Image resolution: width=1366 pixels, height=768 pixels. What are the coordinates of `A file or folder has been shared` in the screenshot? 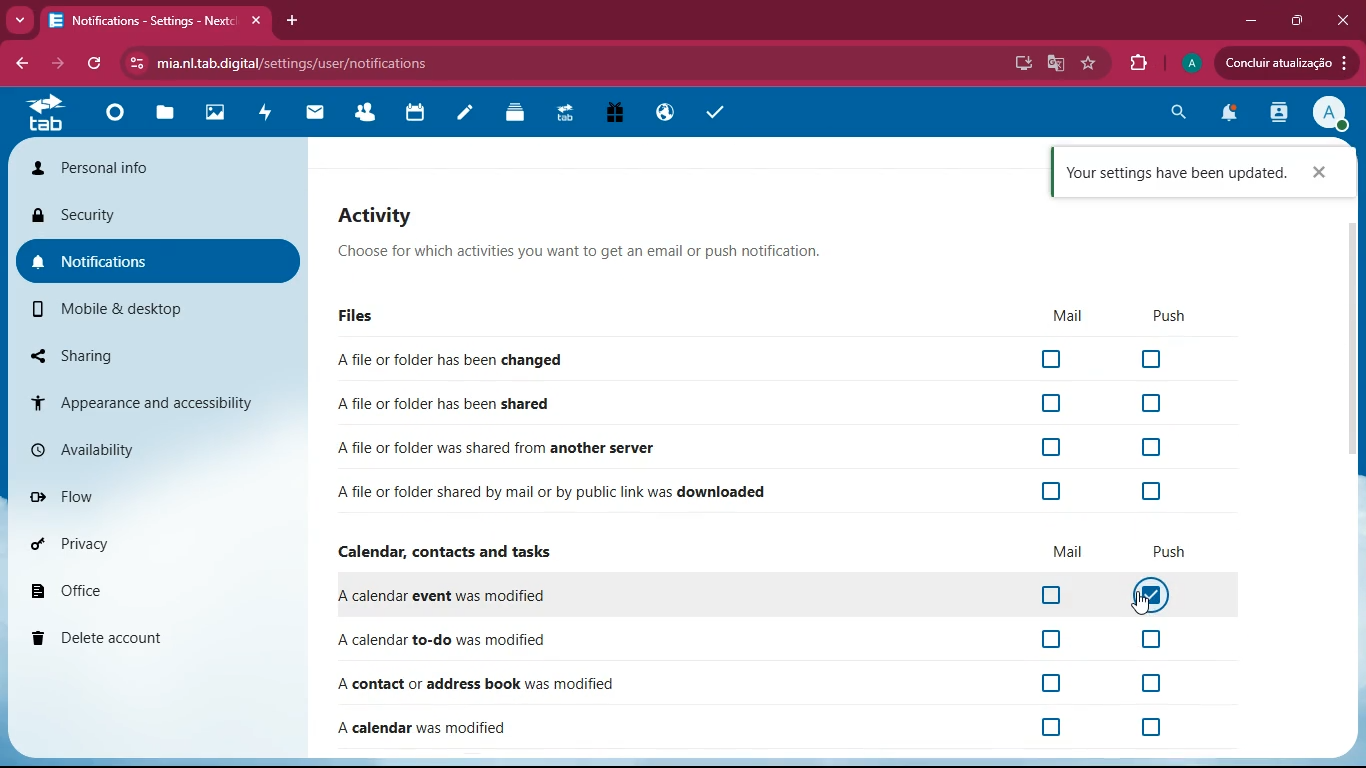 It's located at (441, 404).